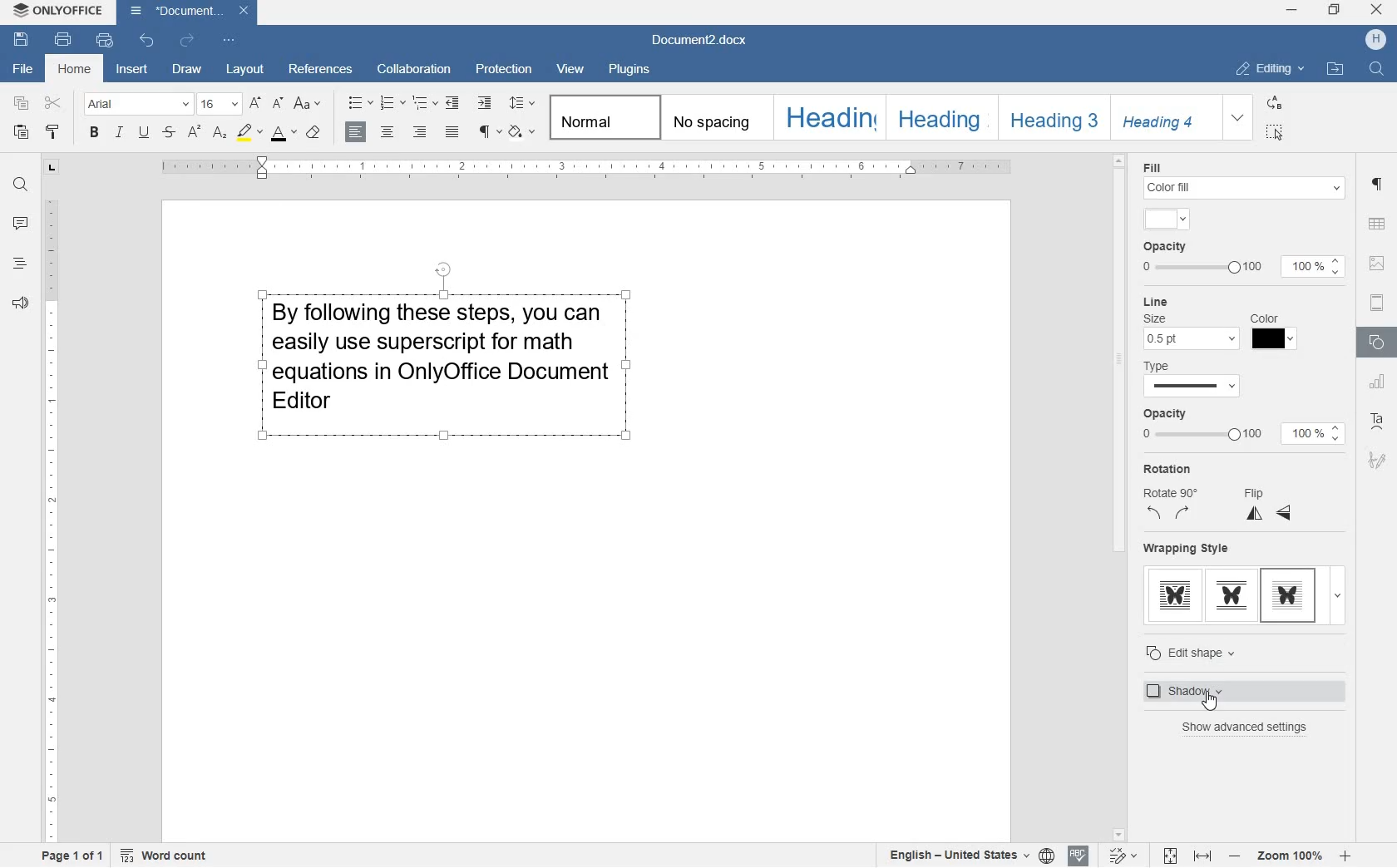 This screenshot has width=1397, height=868. I want to click on cursor, so click(1211, 700).